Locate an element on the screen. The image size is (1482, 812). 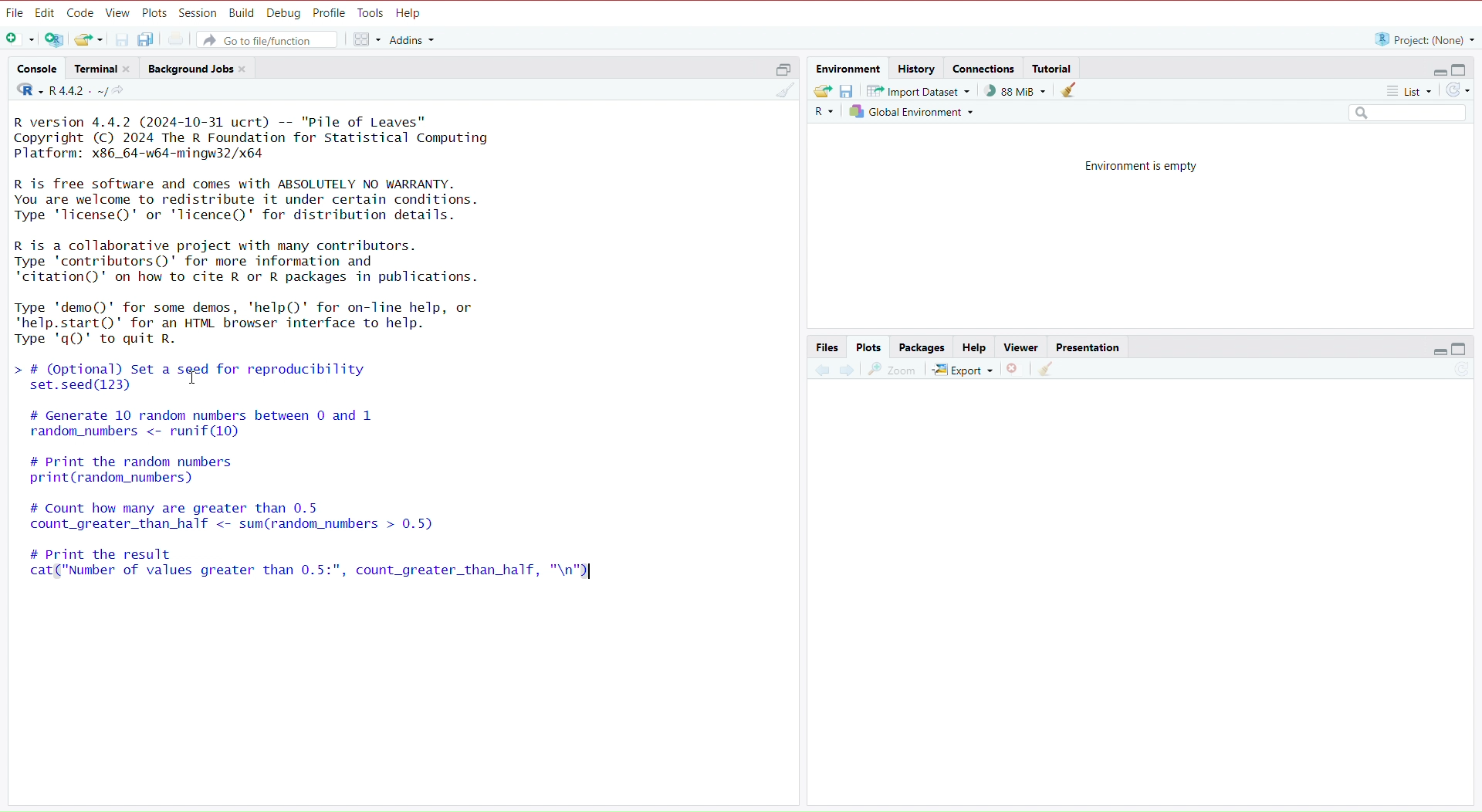
) 88 MiB ~ is located at coordinates (1010, 91).